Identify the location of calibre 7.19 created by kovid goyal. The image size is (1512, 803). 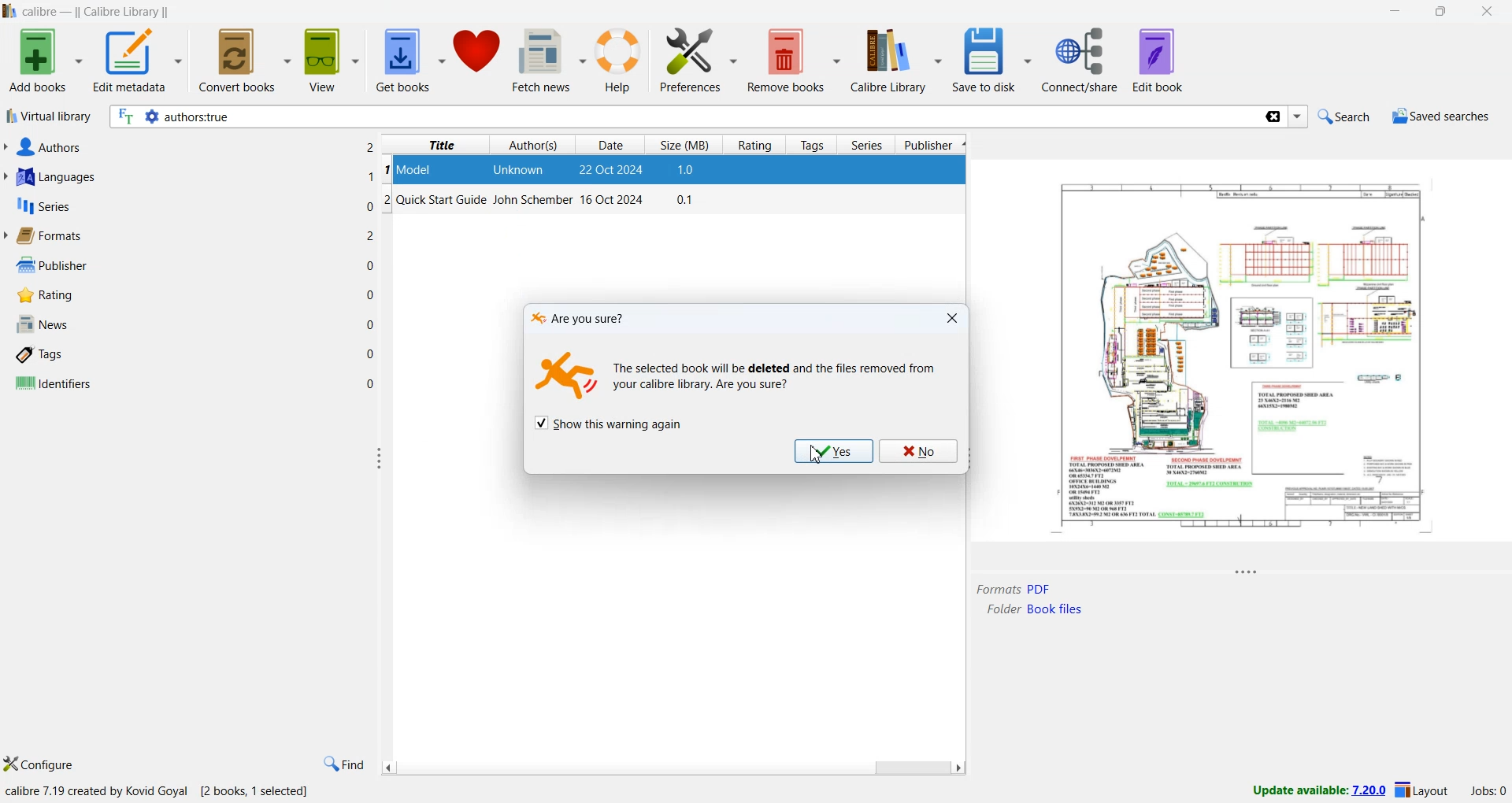
(98, 792).